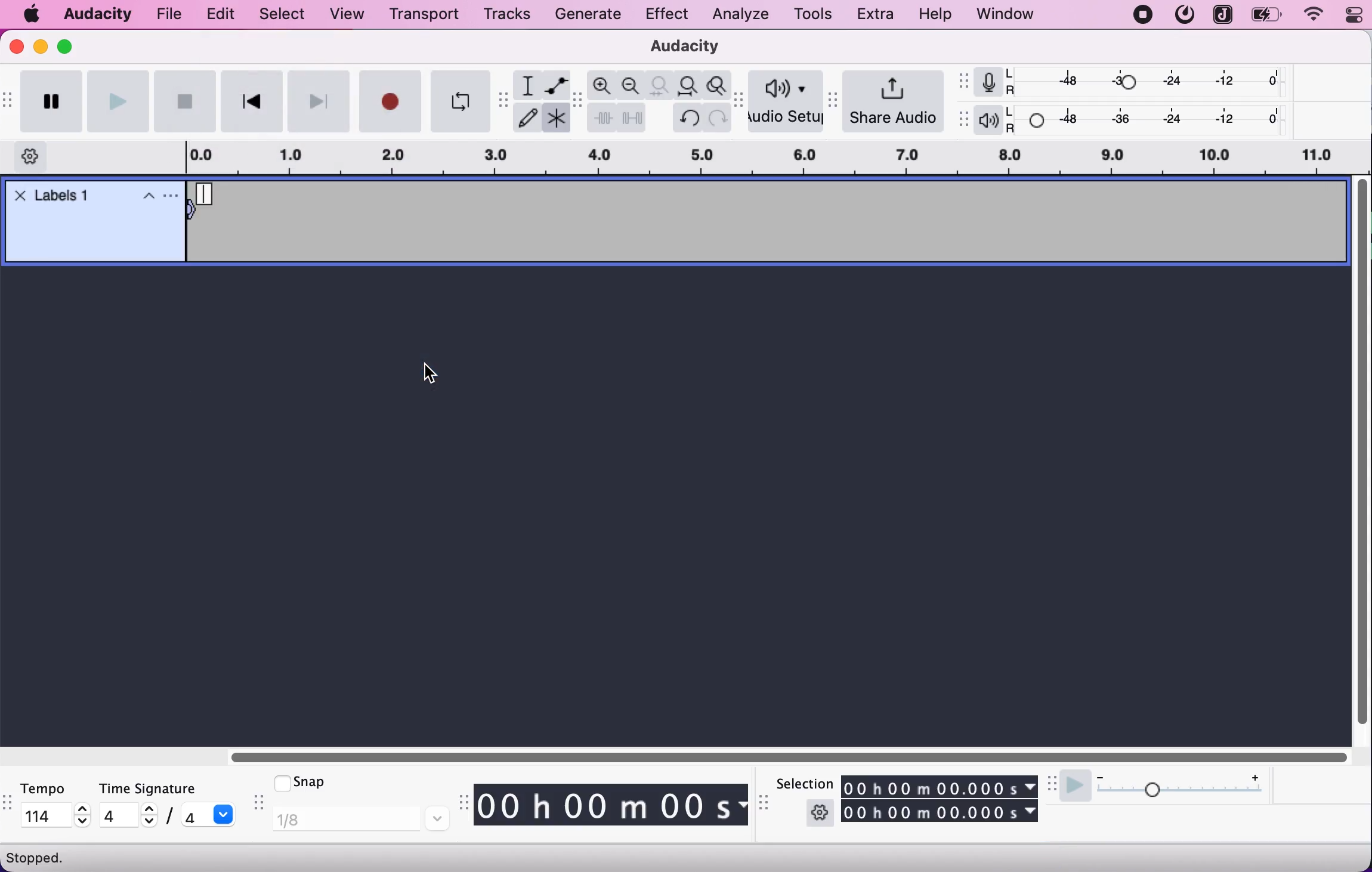 The image size is (1372, 872). Describe the element at coordinates (33, 15) in the screenshot. I see `mac logo` at that location.